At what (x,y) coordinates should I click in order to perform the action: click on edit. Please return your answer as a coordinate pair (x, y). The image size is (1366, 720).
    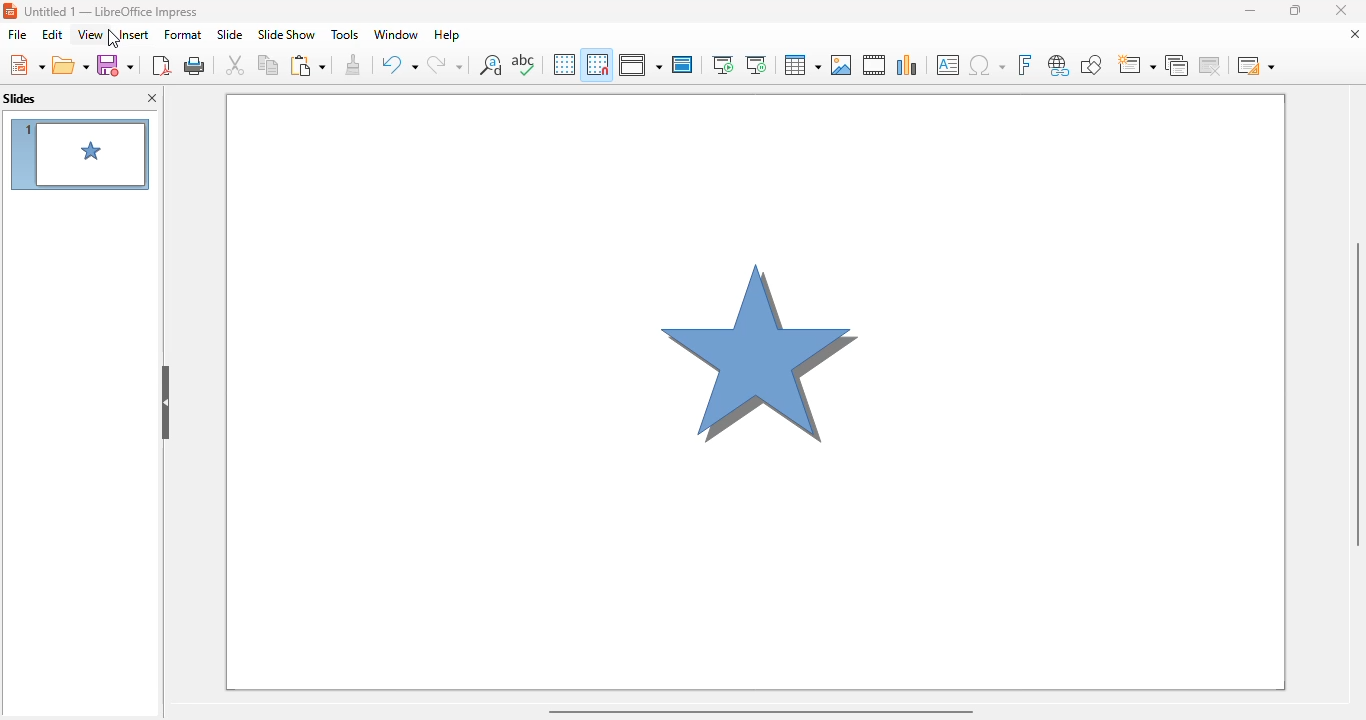
    Looking at the image, I should click on (53, 34).